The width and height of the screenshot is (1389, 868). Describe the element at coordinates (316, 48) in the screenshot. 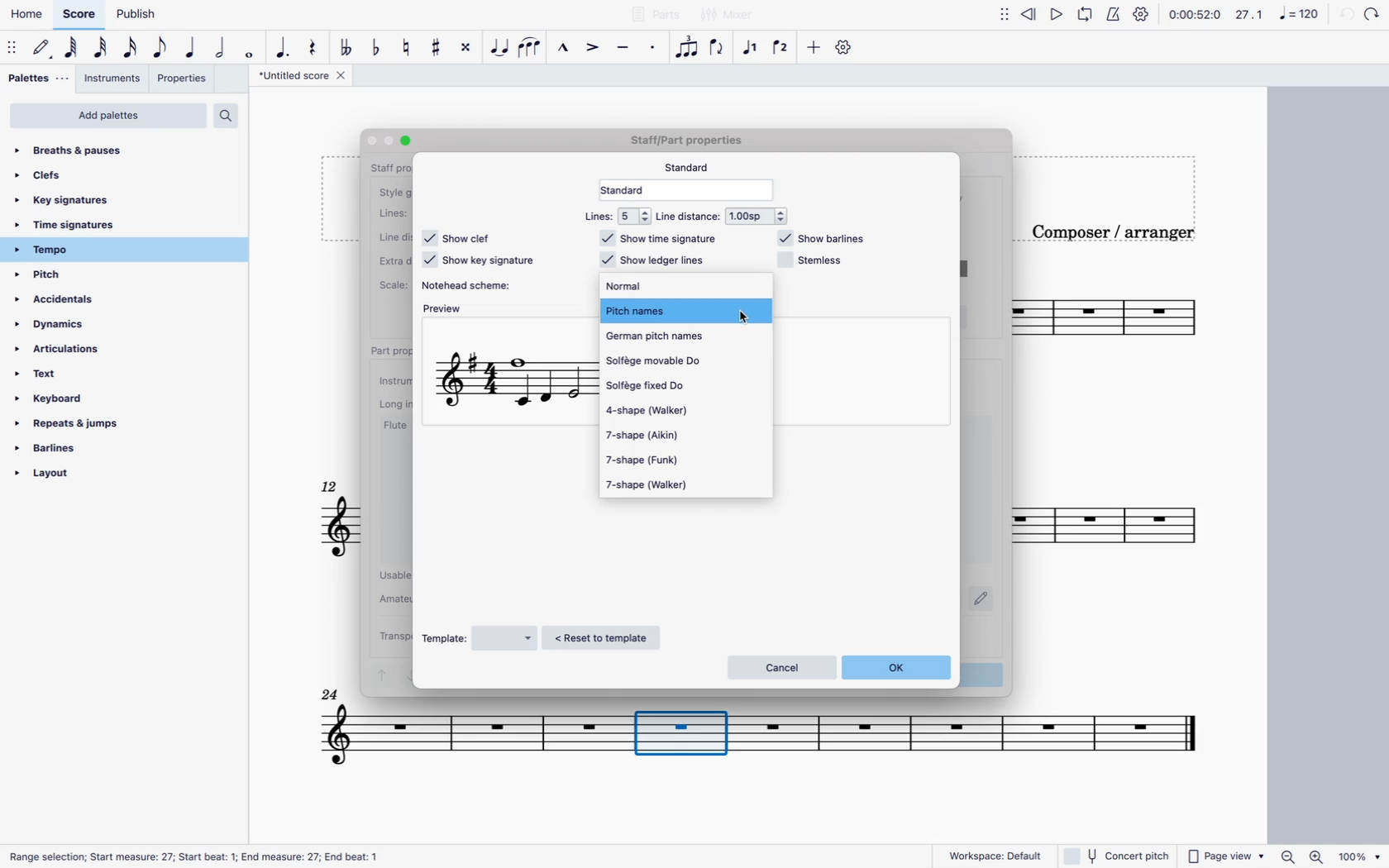

I see `rest` at that location.